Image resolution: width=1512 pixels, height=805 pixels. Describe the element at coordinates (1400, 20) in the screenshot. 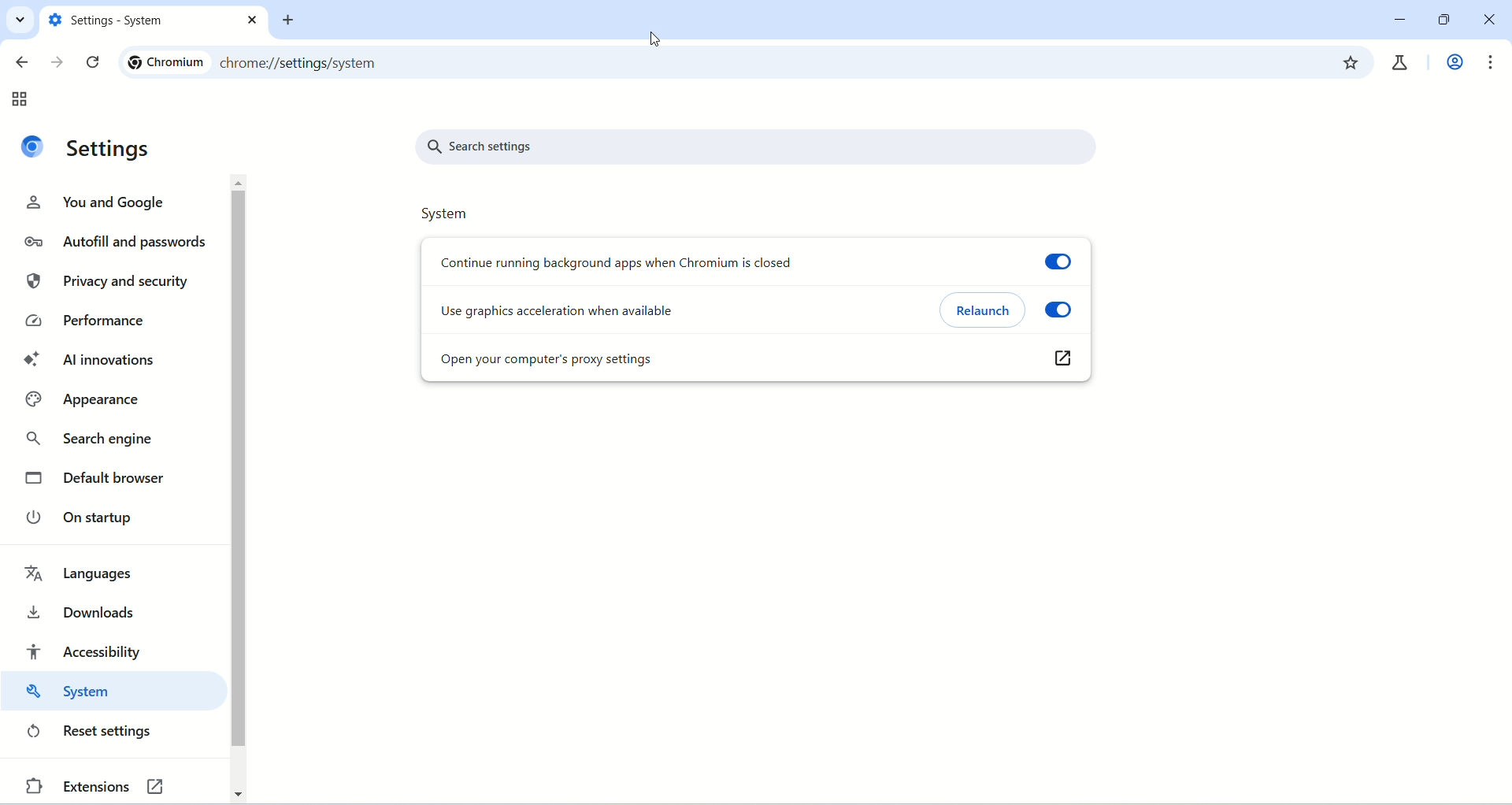

I see `minimize` at that location.